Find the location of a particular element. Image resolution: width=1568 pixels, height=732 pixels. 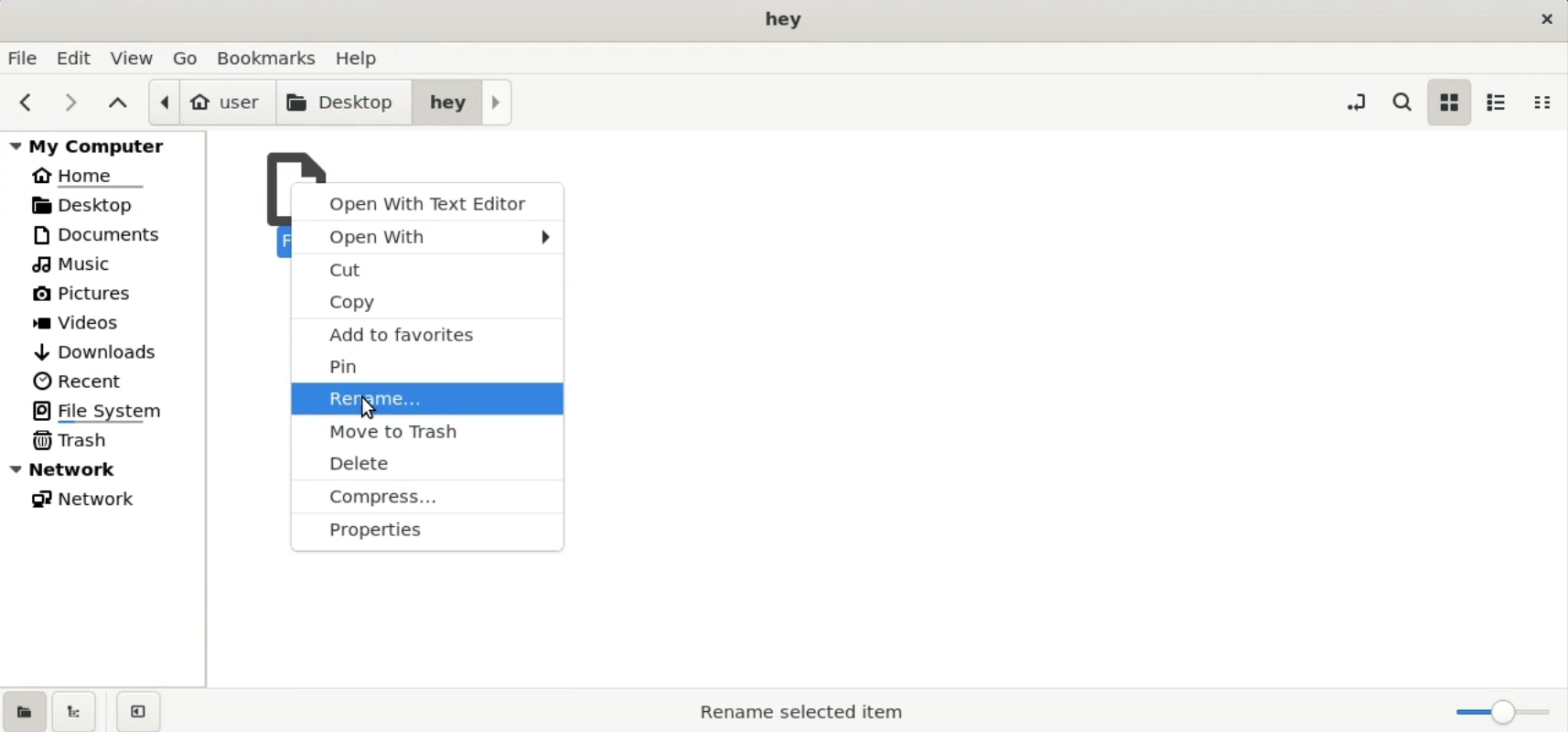

properties is located at coordinates (425, 532).